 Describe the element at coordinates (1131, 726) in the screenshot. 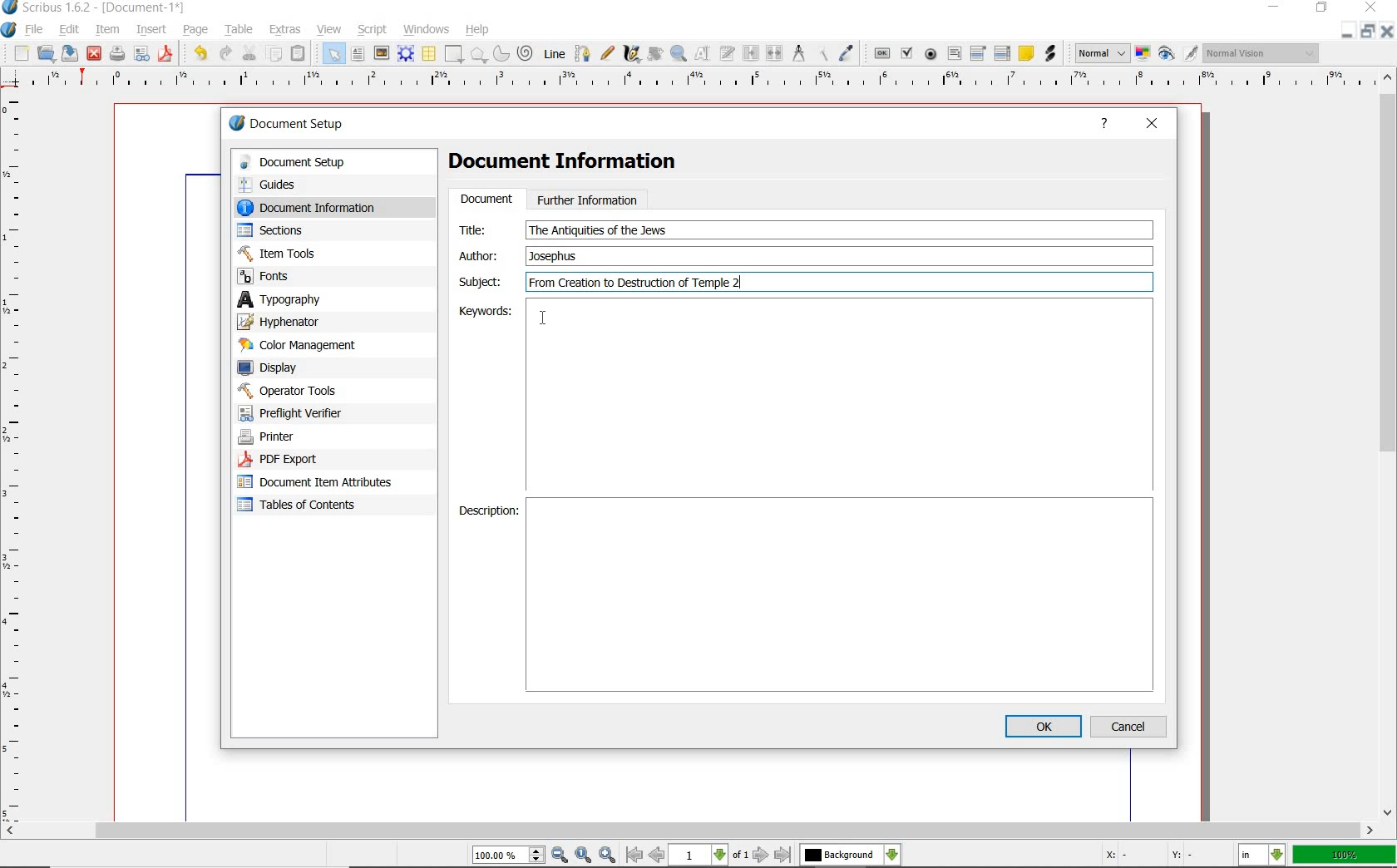

I see `cancel` at that location.